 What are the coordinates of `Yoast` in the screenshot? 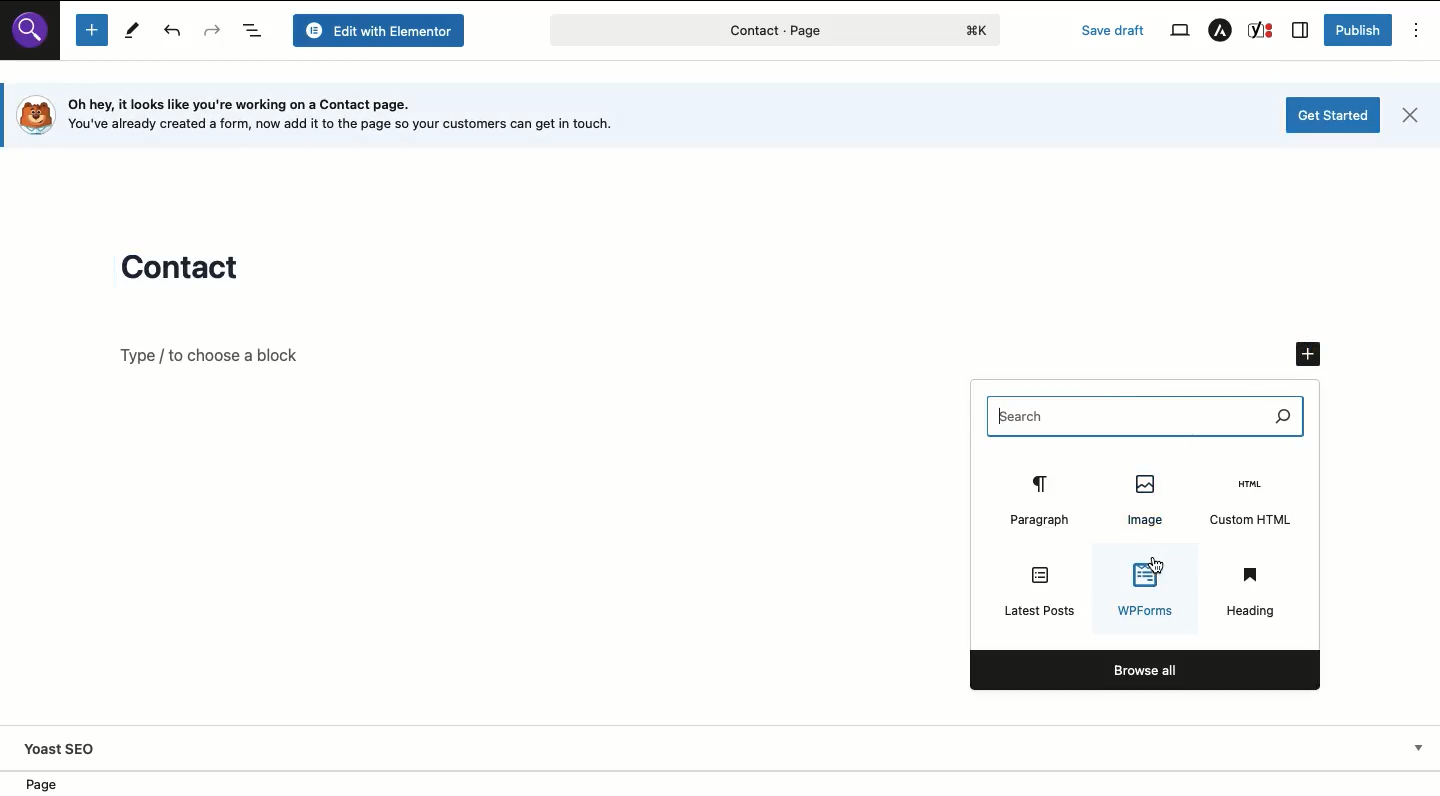 It's located at (1261, 30).